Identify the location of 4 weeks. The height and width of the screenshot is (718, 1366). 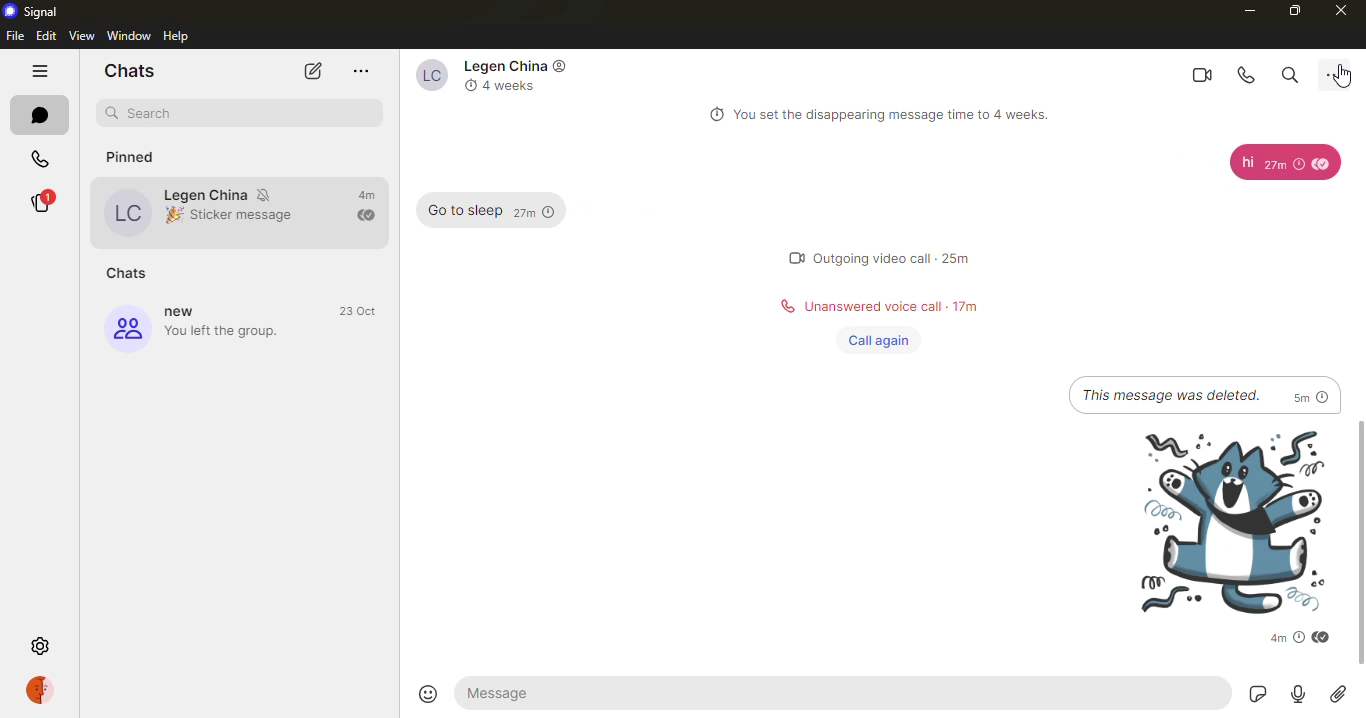
(516, 86).